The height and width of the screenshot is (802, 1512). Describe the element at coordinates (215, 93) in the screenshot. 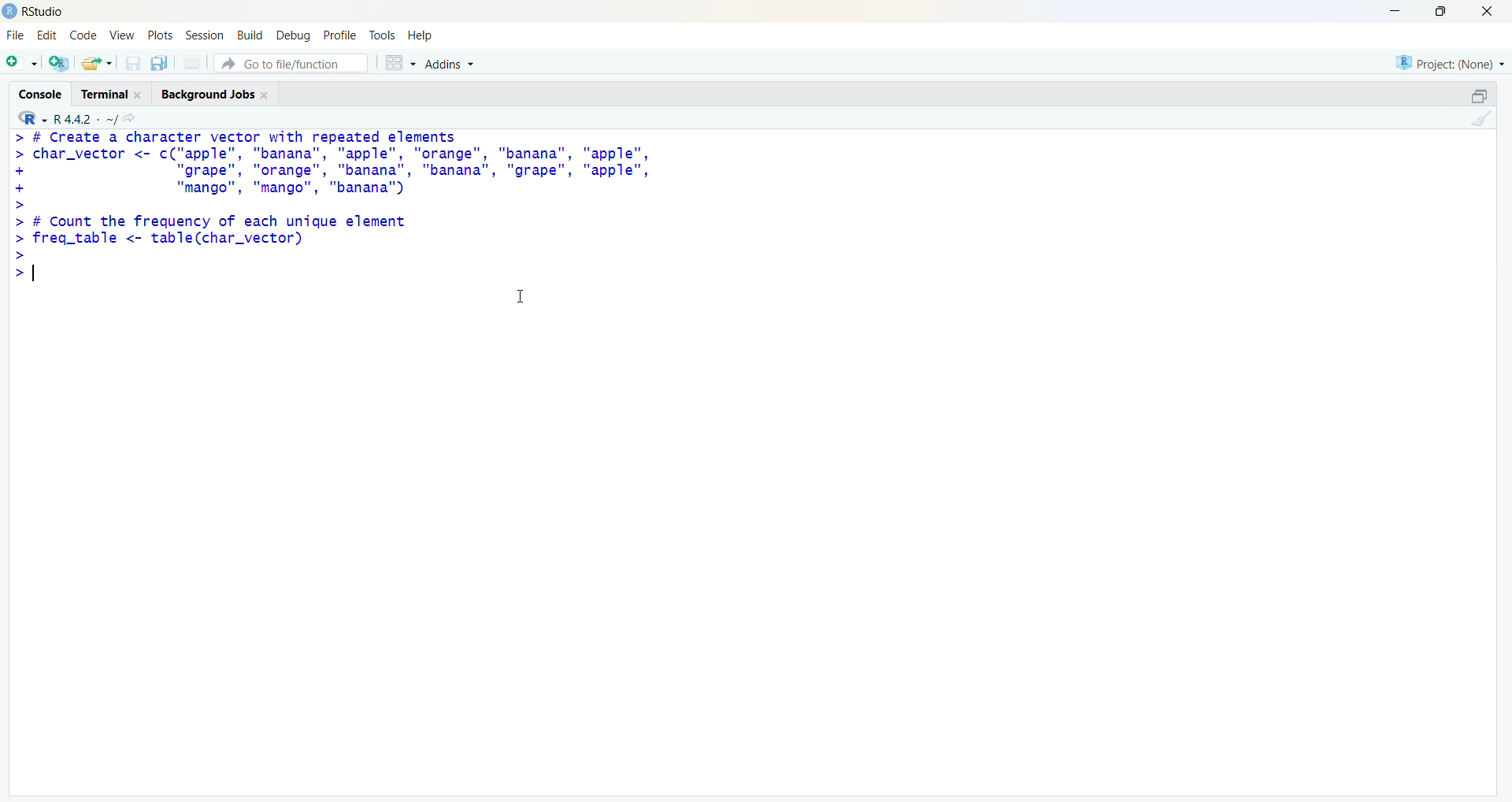

I see `Background Jobs` at that location.